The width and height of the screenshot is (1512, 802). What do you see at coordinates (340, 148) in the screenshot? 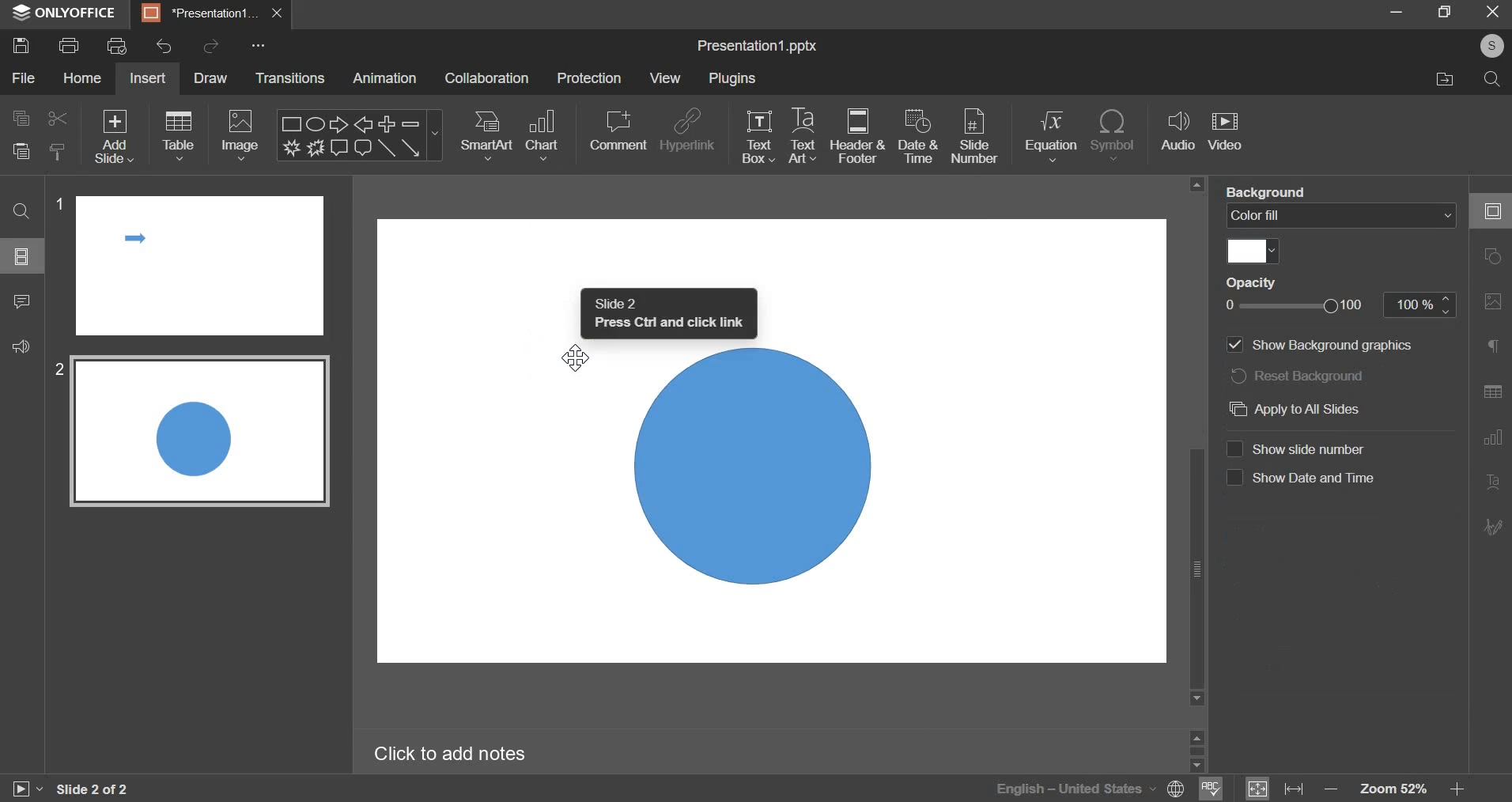
I see `Rectangular callout` at bounding box center [340, 148].